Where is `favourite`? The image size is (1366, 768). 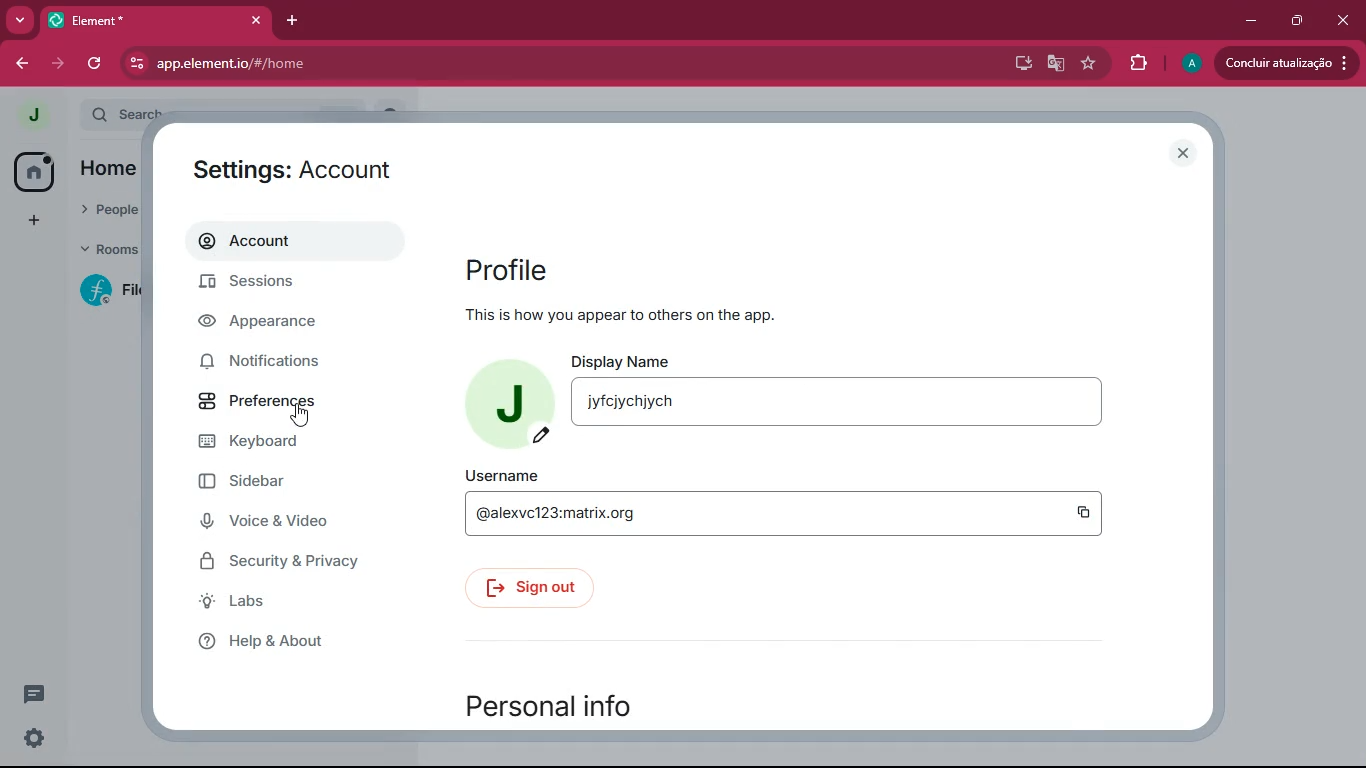
favourite is located at coordinates (1092, 64).